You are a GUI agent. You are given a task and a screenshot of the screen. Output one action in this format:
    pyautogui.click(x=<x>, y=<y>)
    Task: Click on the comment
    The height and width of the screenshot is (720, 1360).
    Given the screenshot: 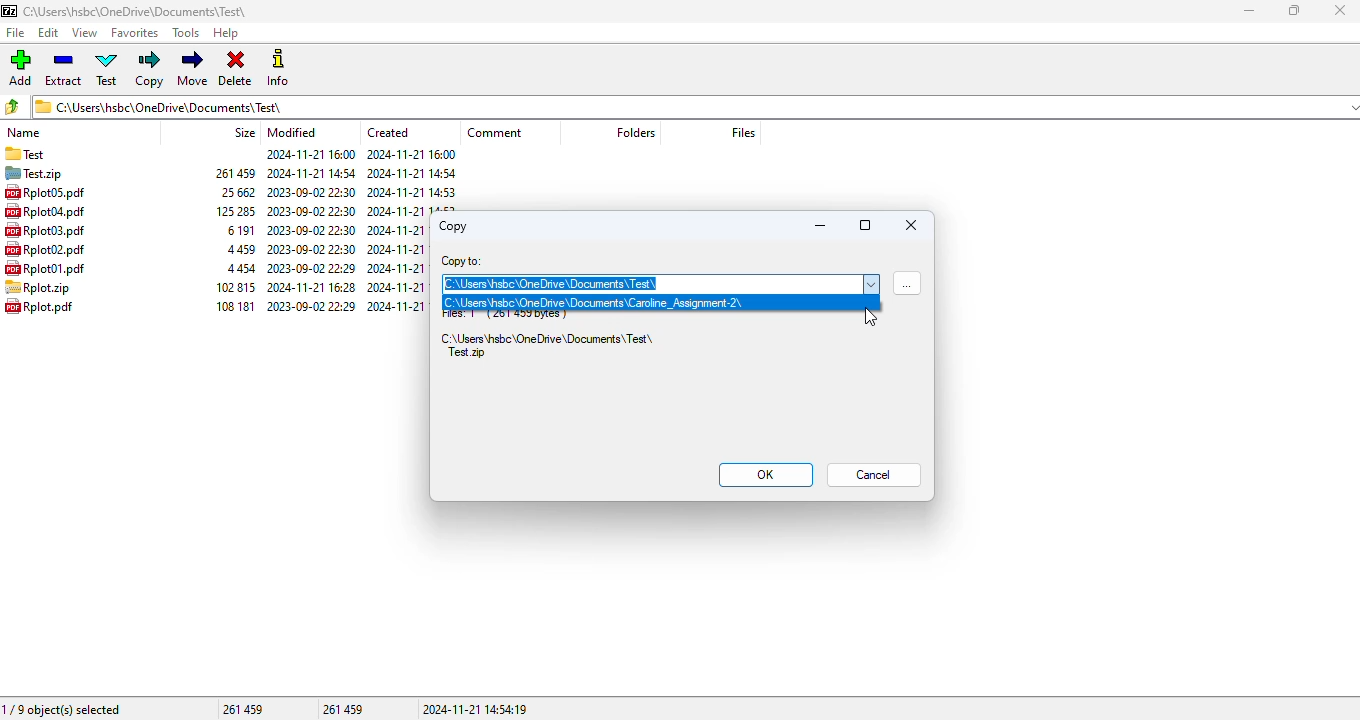 What is the action you would take?
    pyautogui.click(x=495, y=133)
    